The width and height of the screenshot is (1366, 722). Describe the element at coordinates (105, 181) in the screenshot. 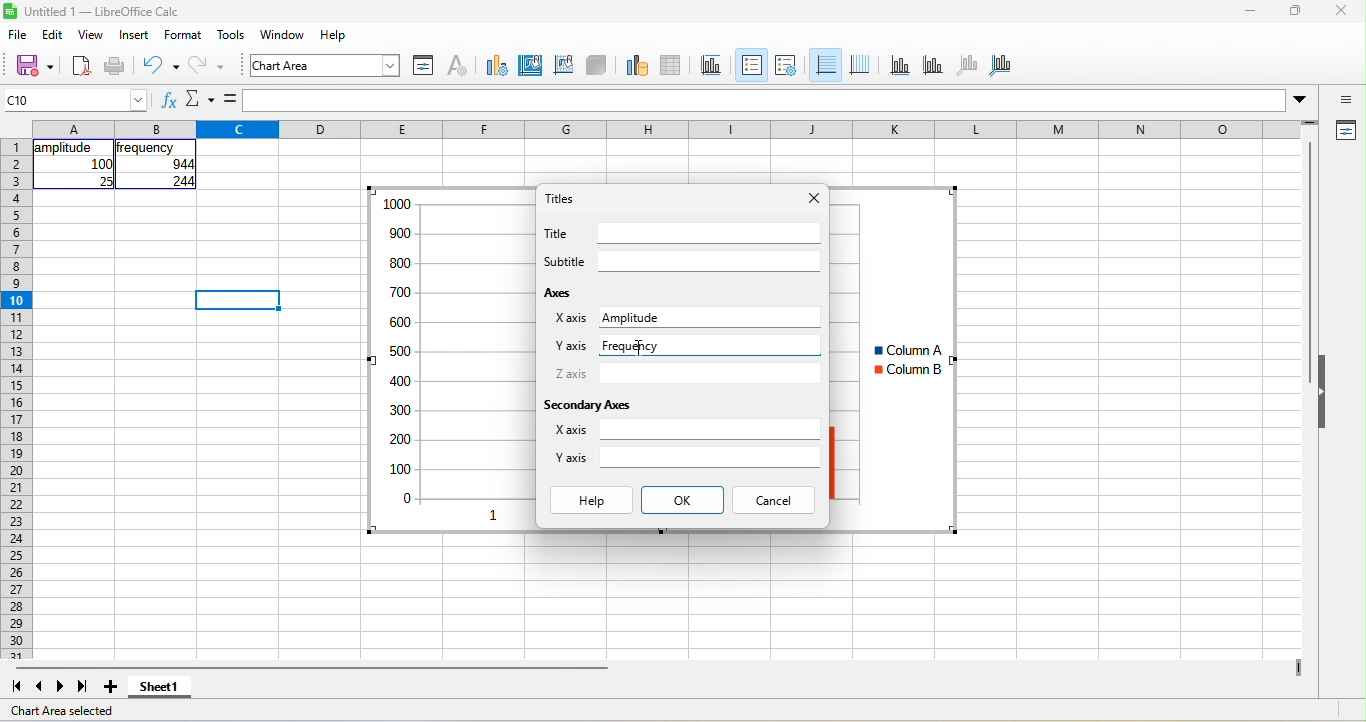

I see `25` at that location.